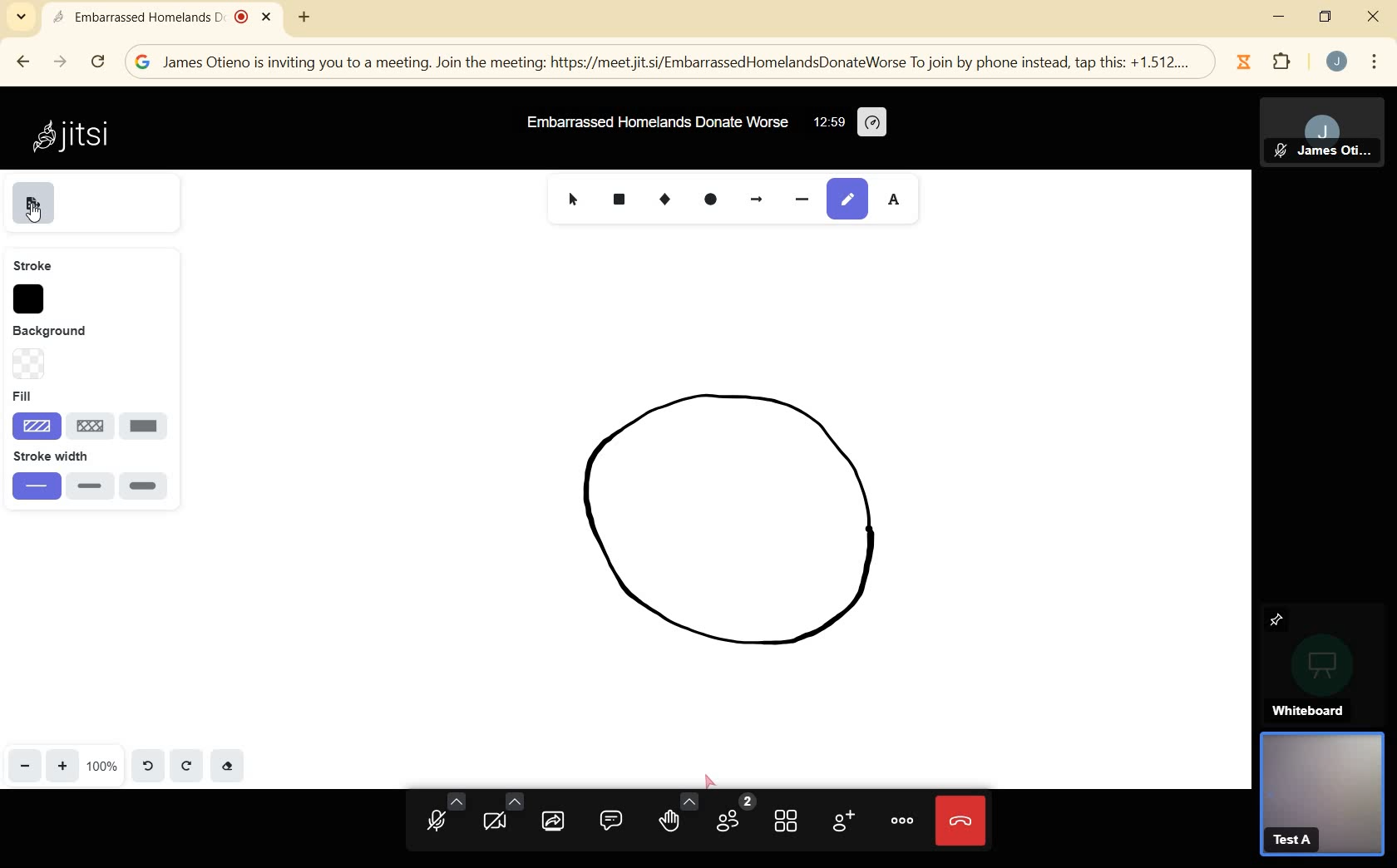  Describe the element at coordinates (763, 202) in the screenshot. I see `arrow` at that location.